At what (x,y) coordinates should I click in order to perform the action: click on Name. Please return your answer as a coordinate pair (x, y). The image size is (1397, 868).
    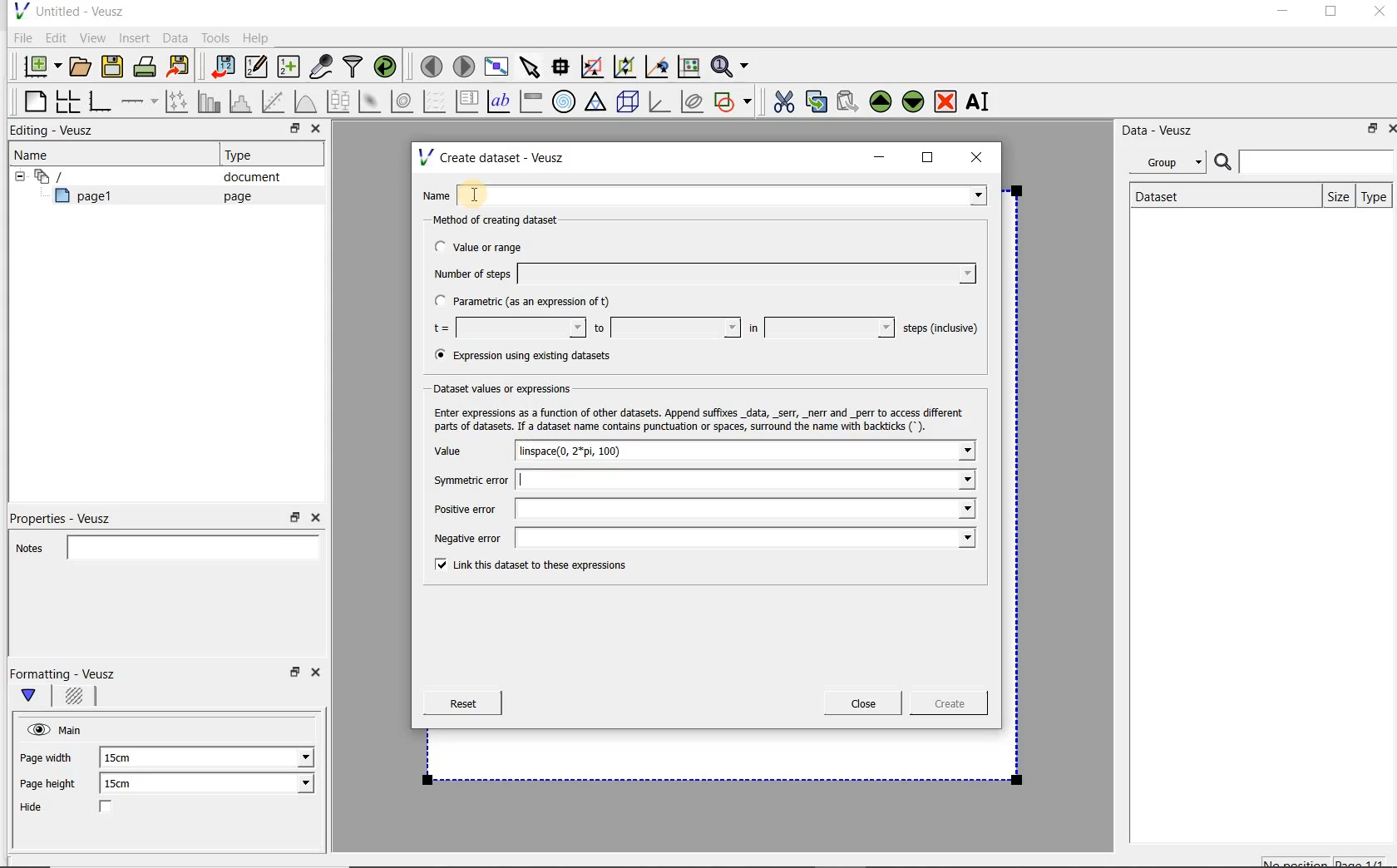
    Looking at the image, I should click on (708, 194).